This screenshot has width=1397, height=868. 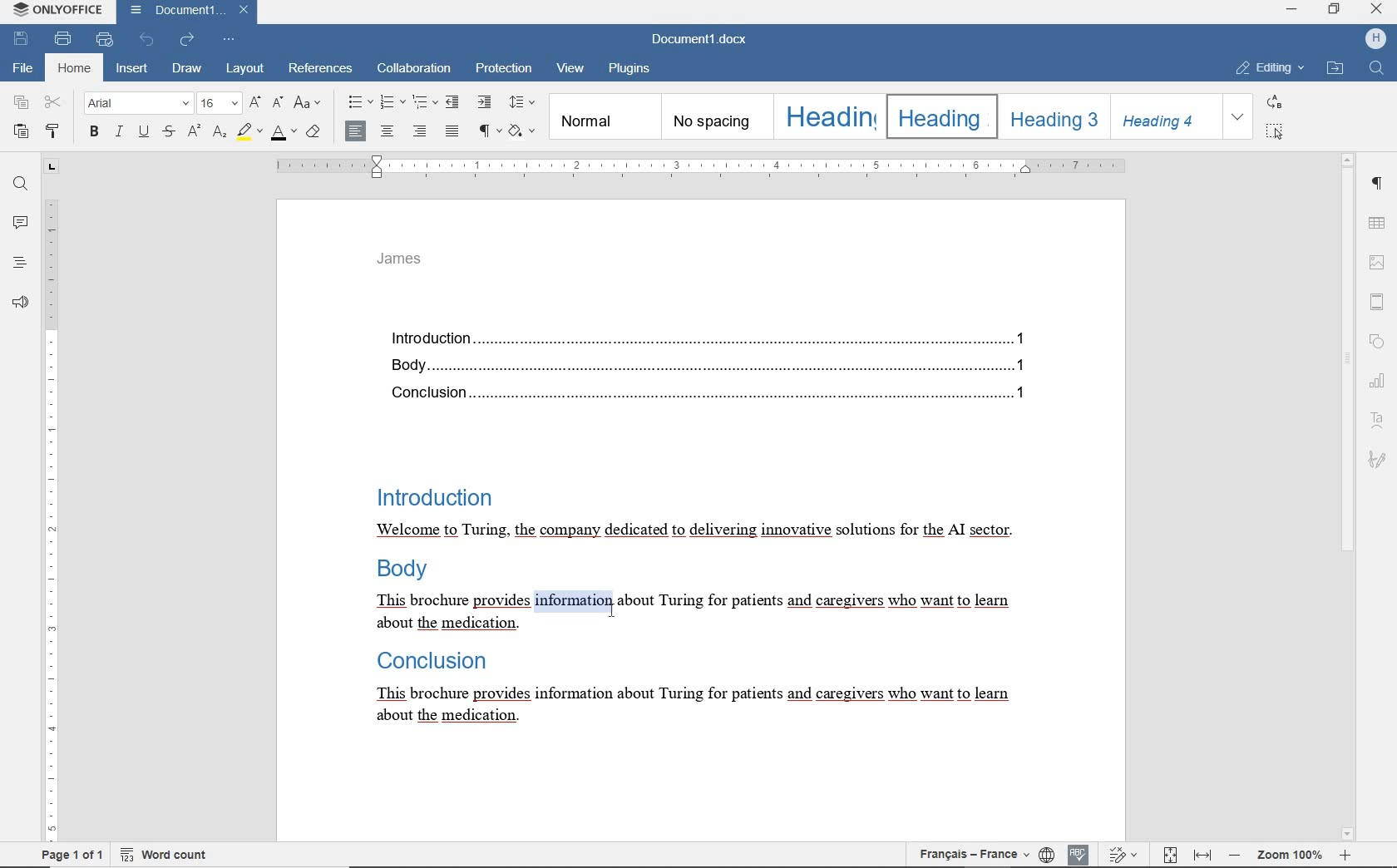 I want to click on SCROLLBAR, so click(x=1348, y=496).